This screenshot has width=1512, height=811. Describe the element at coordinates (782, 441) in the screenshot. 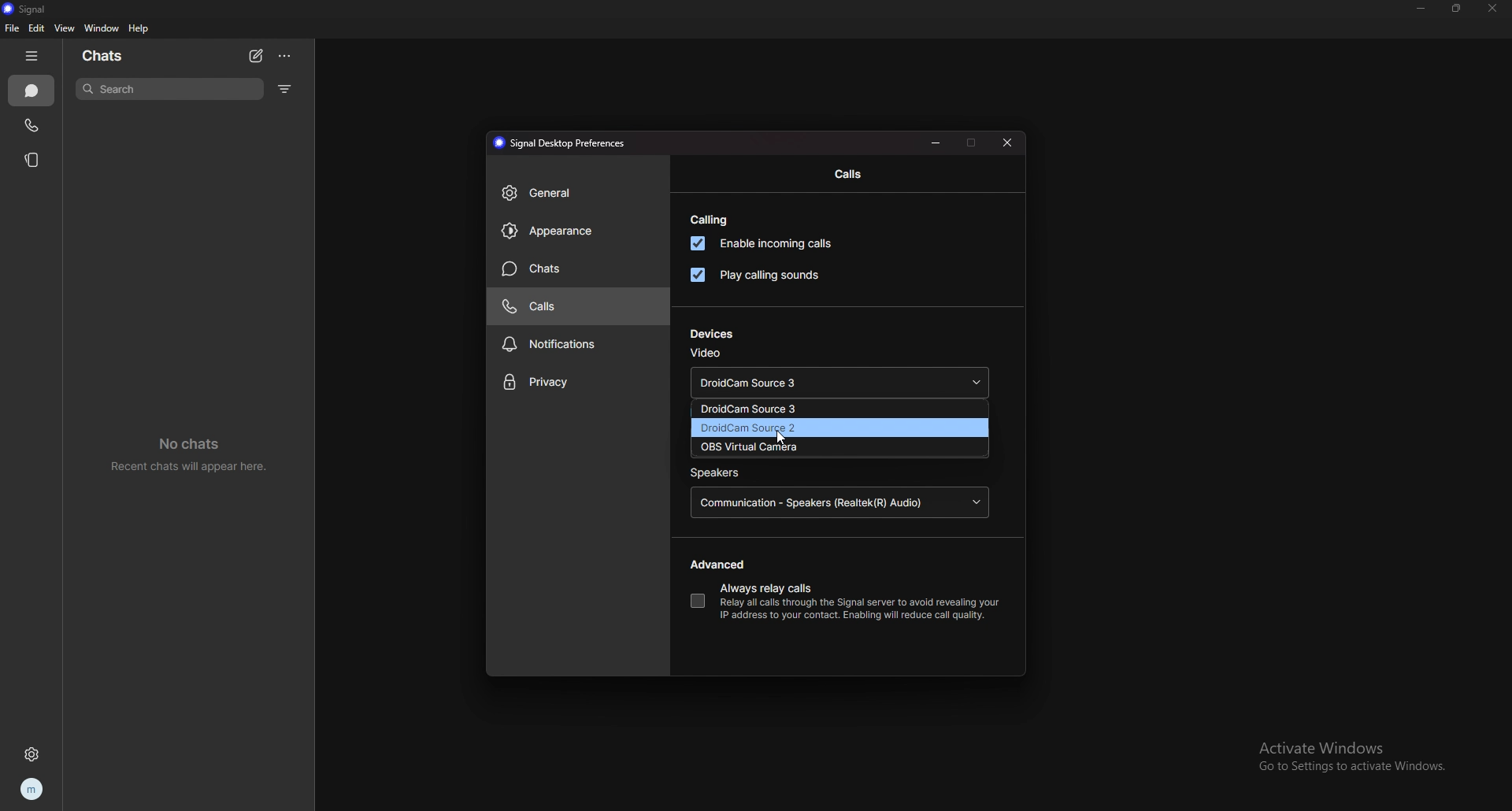

I see `cursor` at that location.